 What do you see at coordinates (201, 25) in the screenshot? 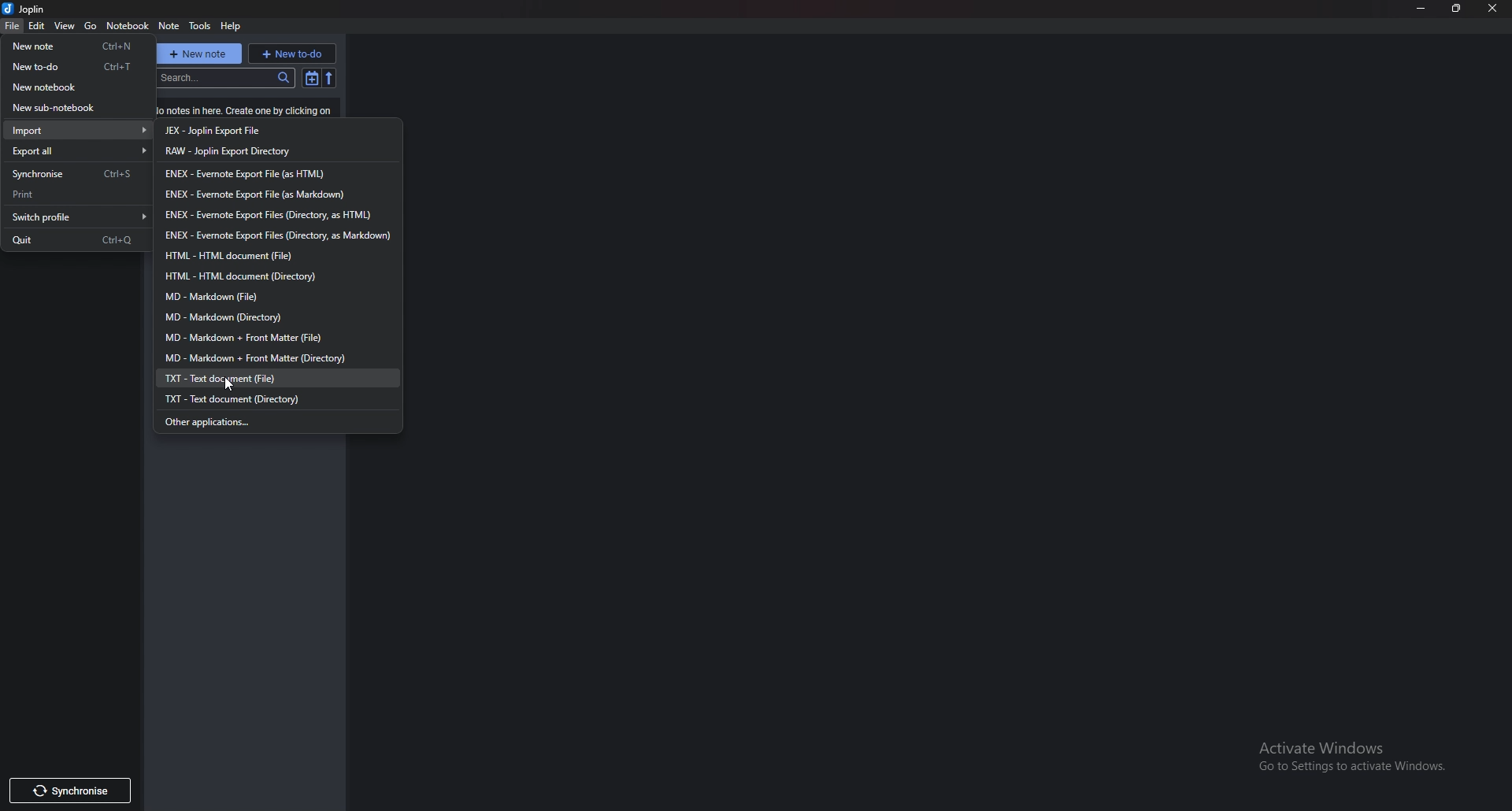
I see `Tools` at bounding box center [201, 25].